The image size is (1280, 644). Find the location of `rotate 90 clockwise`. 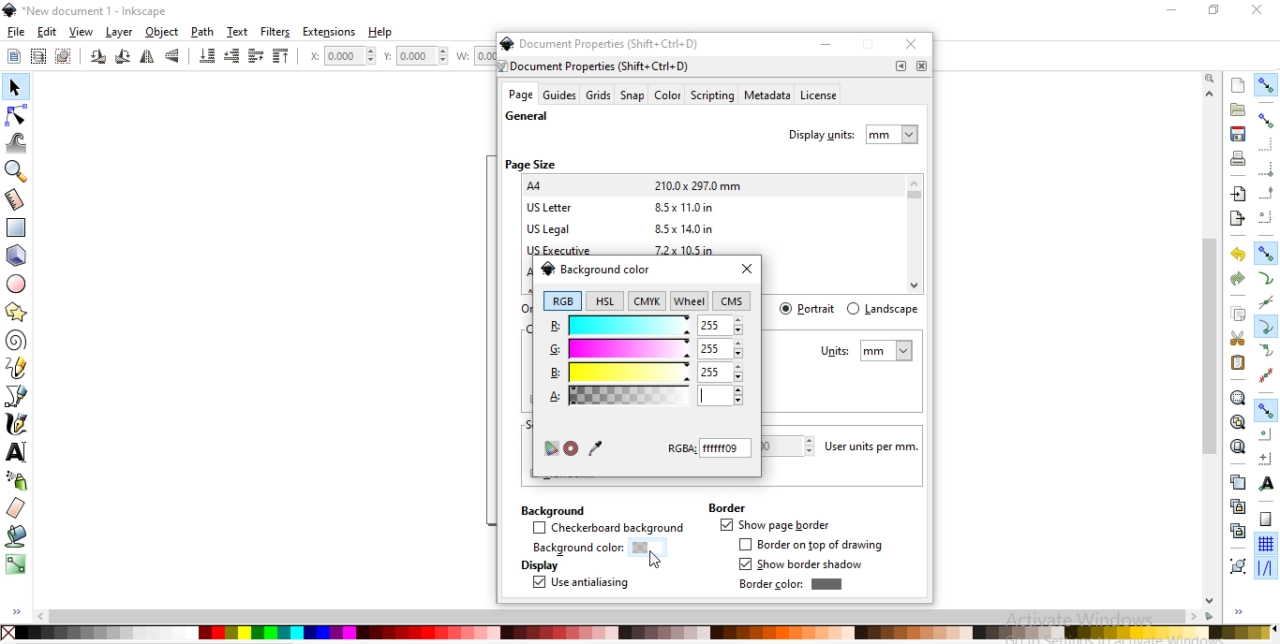

rotate 90 clockwise is located at coordinates (99, 58).